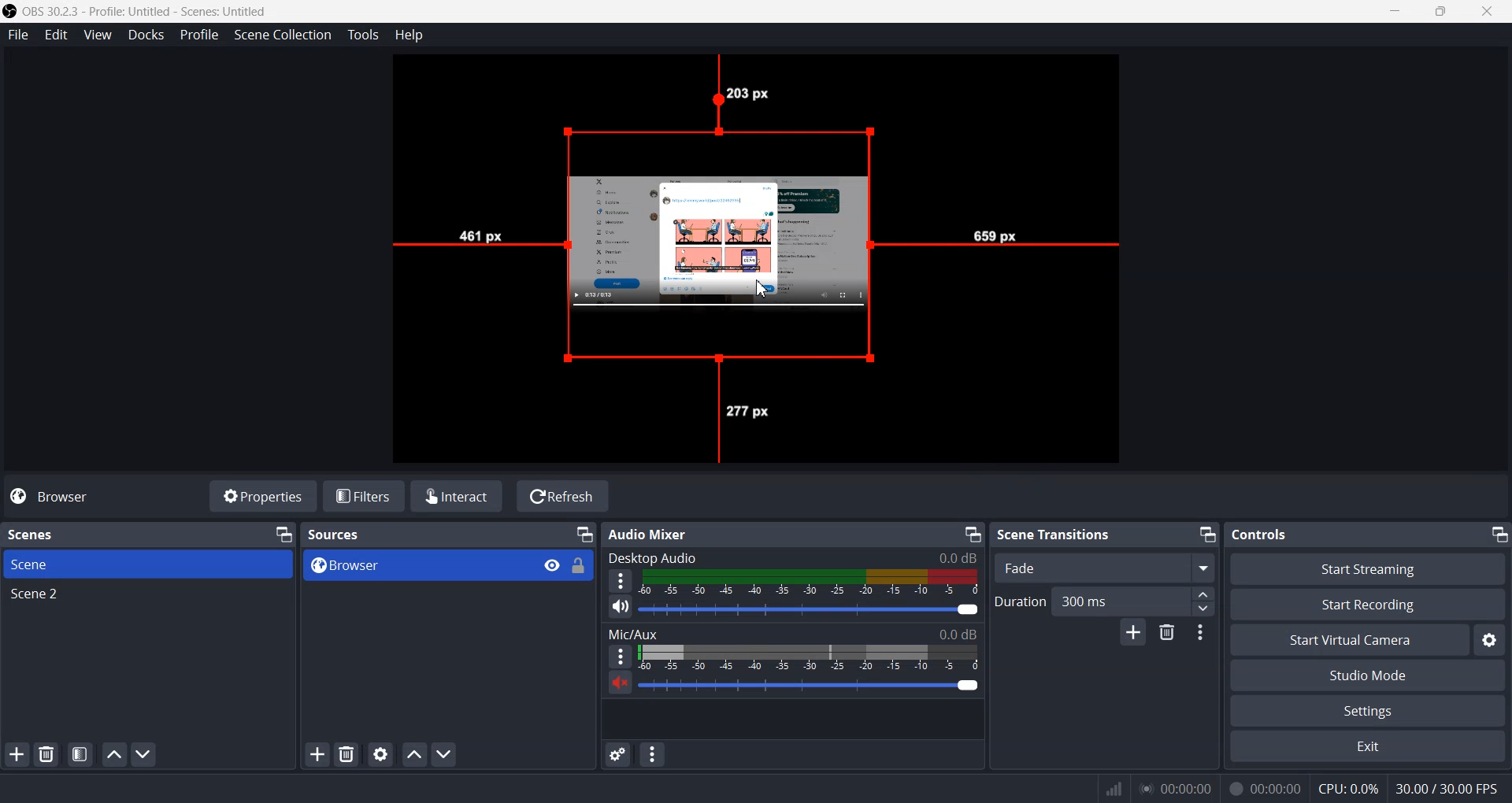 The image size is (1512, 803). Describe the element at coordinates (651, 754) in the screenshot. I see `Audio mixer menu` at that location.